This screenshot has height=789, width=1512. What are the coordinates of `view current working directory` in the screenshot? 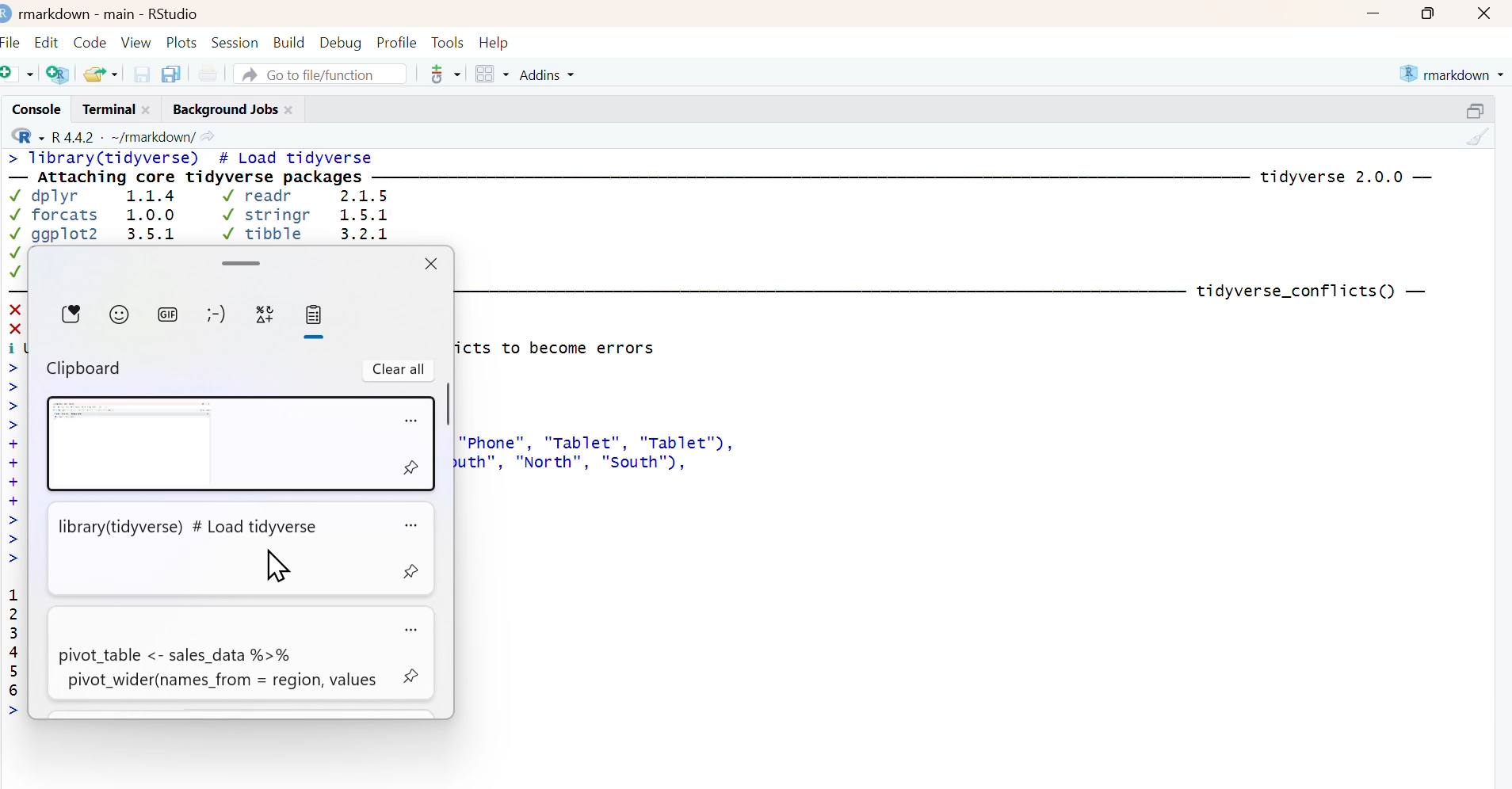 It's located at (208, 135).